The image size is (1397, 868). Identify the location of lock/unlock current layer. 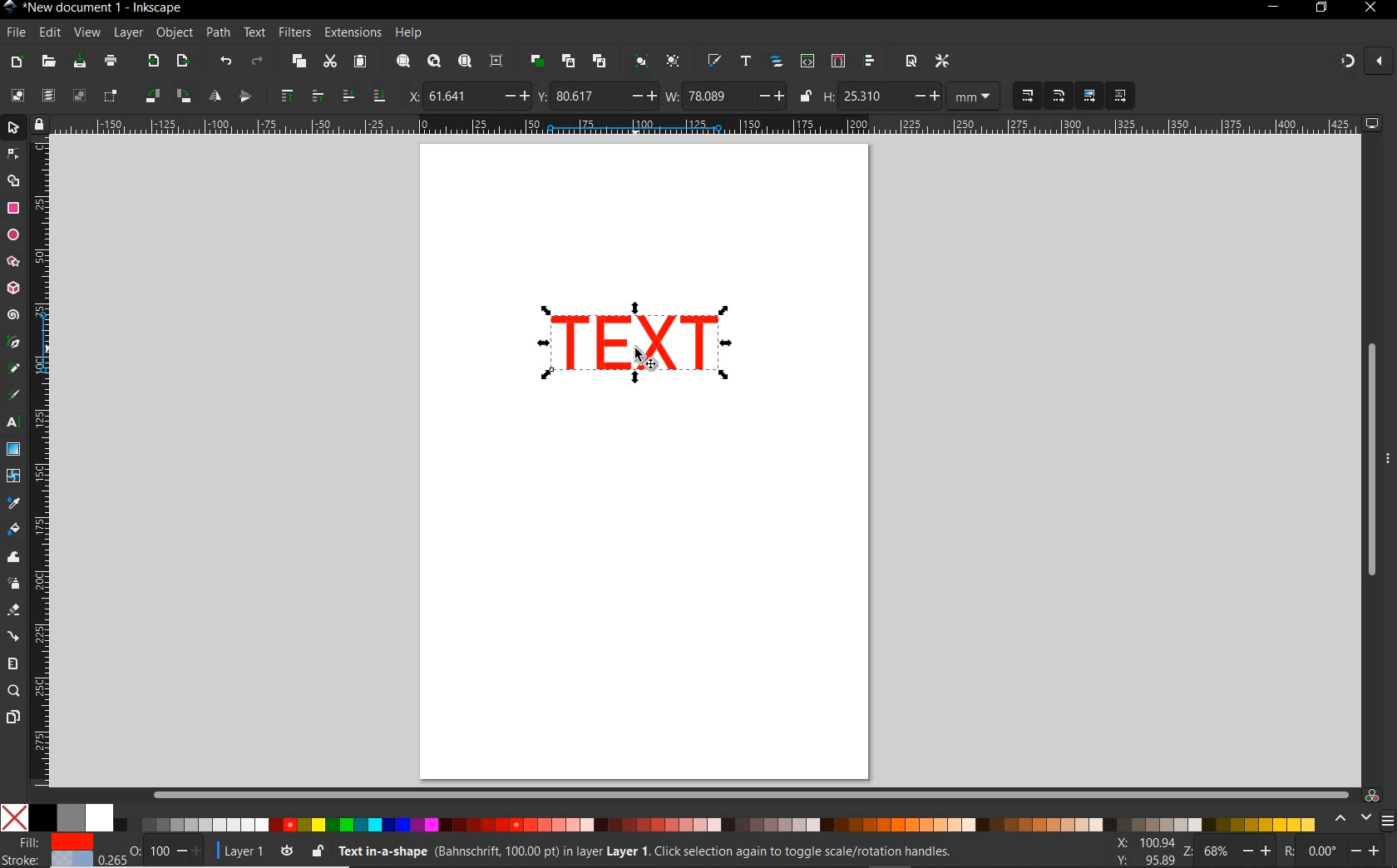
(317, 850).